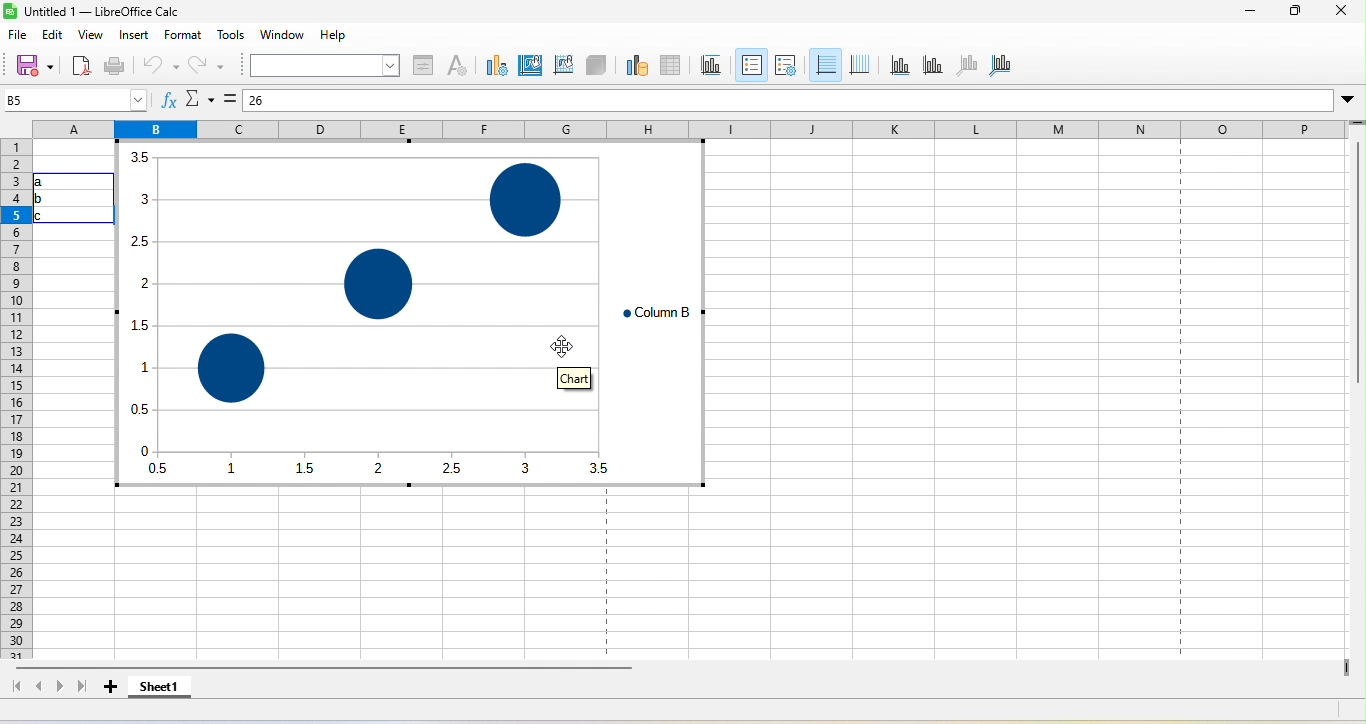  I want to click on 3D , so click(596, 64).